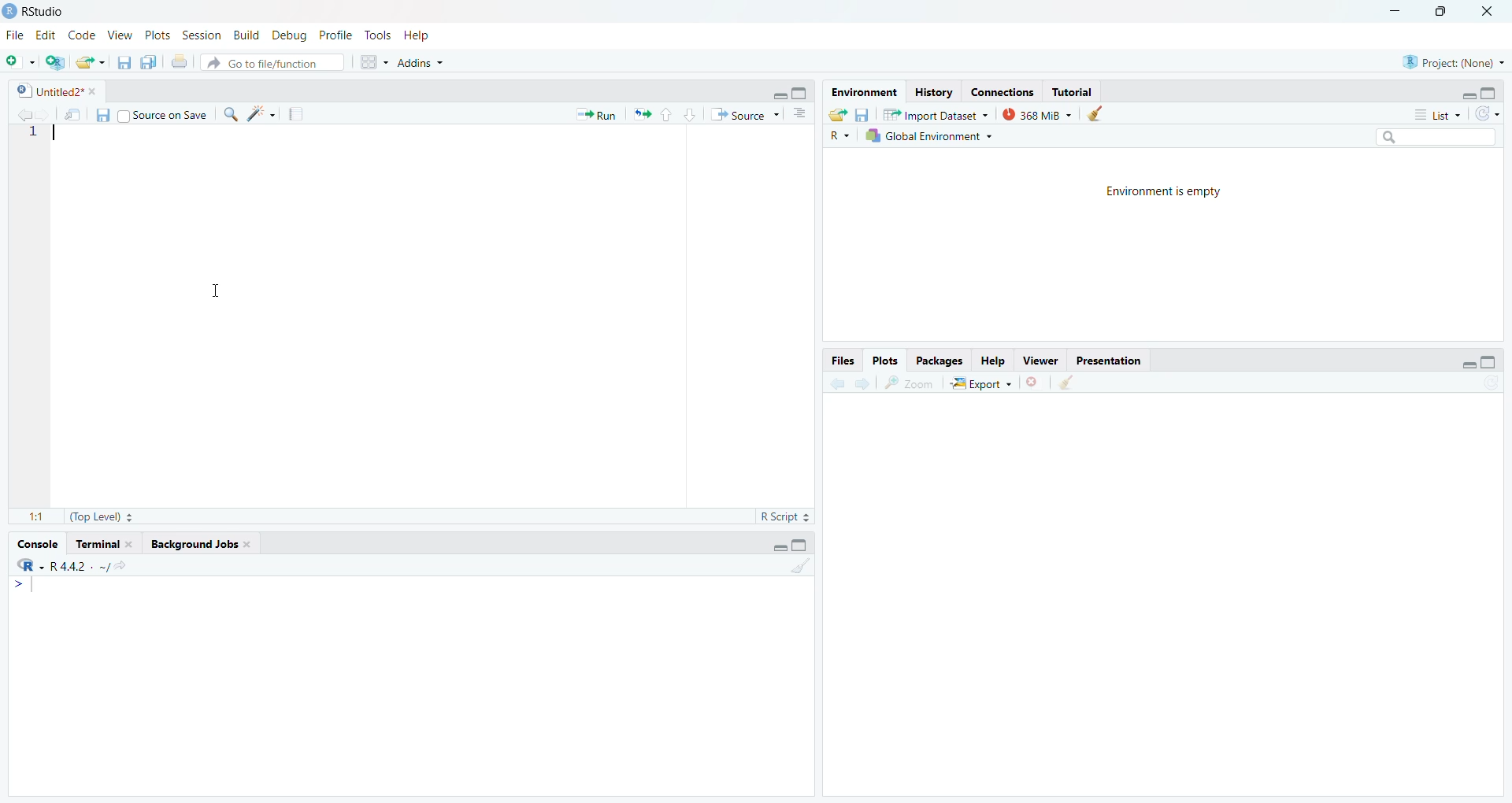 The image size is (1512, 803). I want to click on Environment, so click(864, 90).